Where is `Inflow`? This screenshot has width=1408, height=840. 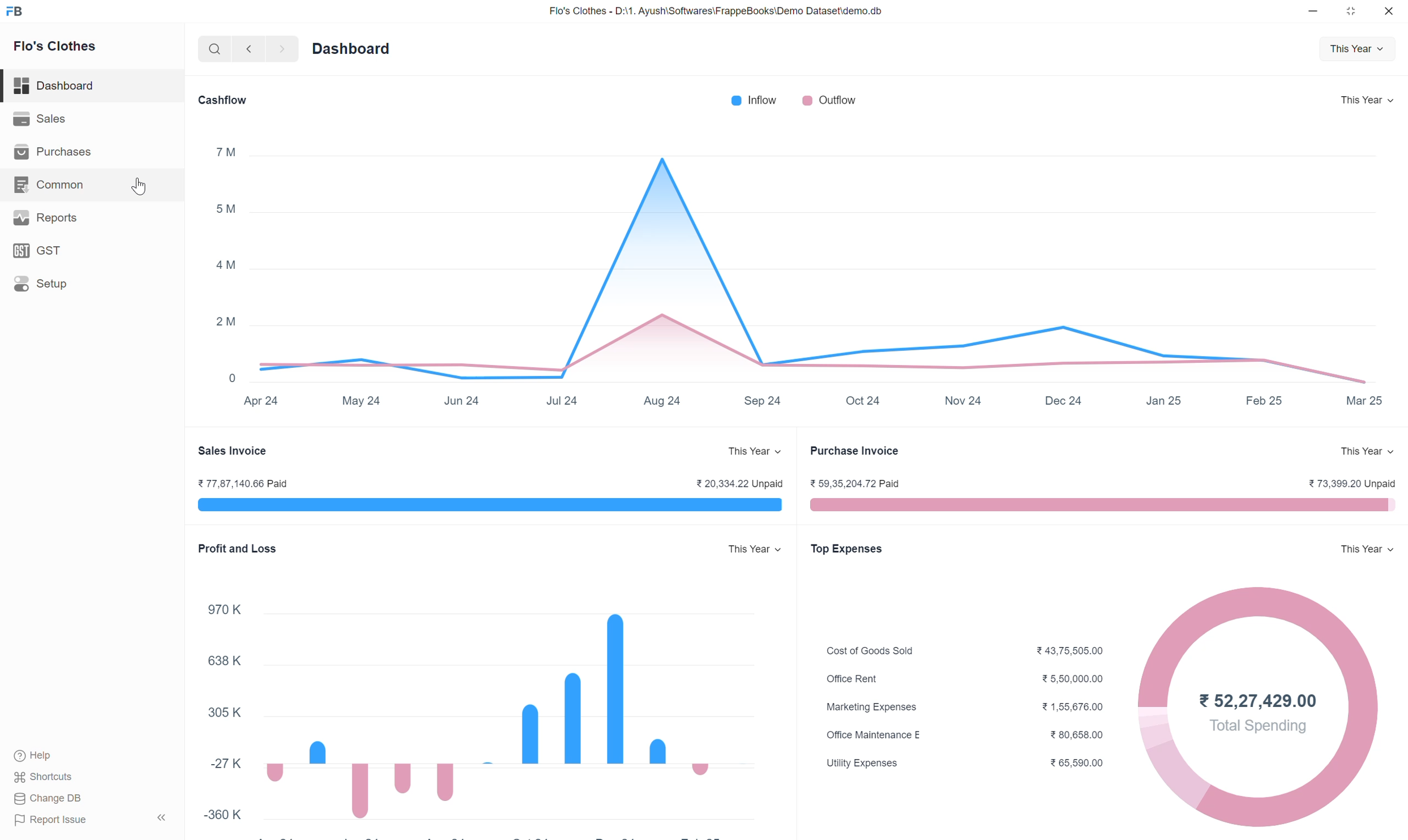
Inflow is located at coordinates (752, 101).